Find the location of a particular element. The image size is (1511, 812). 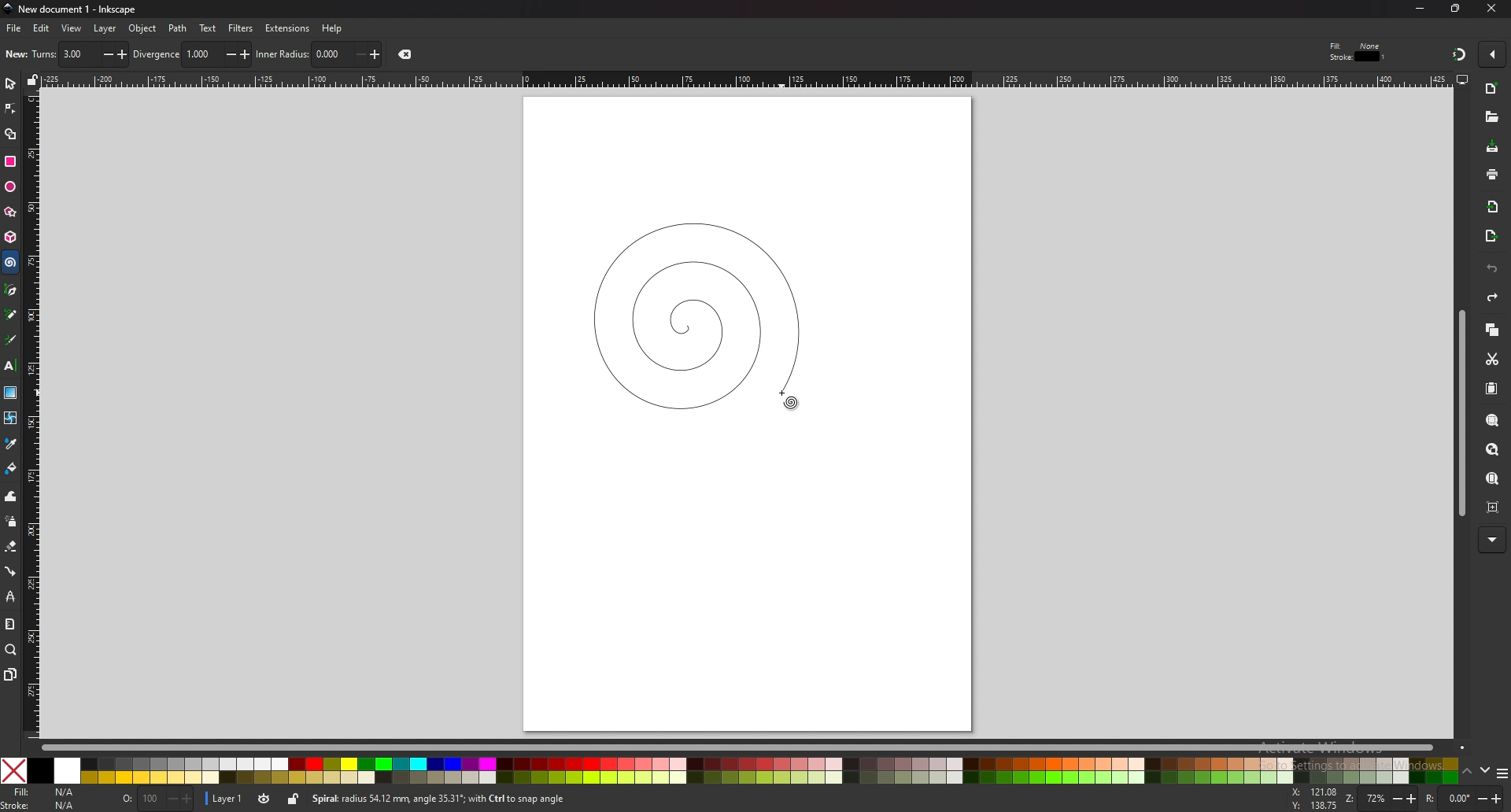

Spiral radius 54.12 mm, angle 33.31%; with Ctrl to snap angle is located at coordinates (444, 799).